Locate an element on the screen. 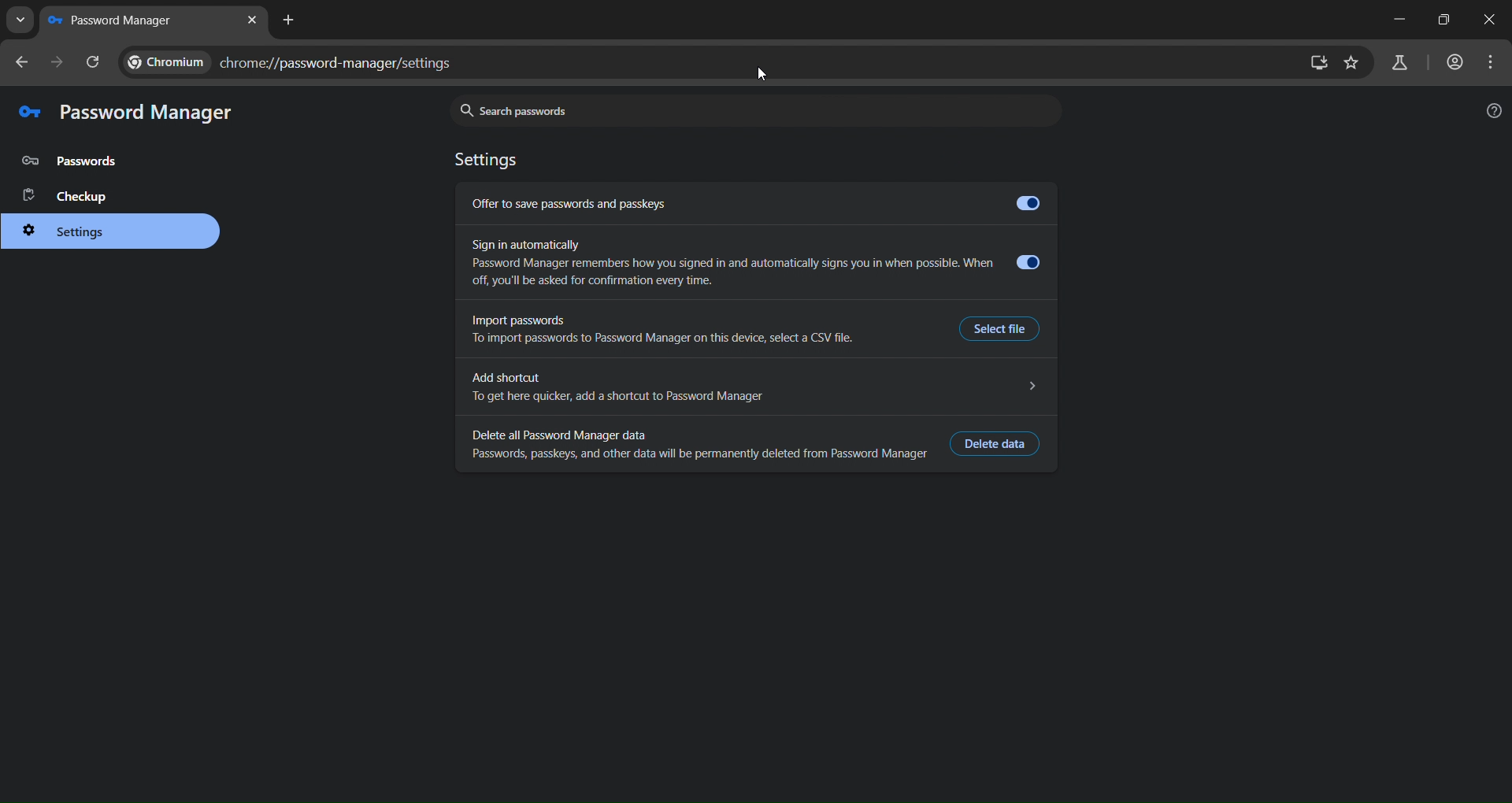 The height and width of the screenshot is (803, 1512). go forward one page is located at coordinates (54, 61).